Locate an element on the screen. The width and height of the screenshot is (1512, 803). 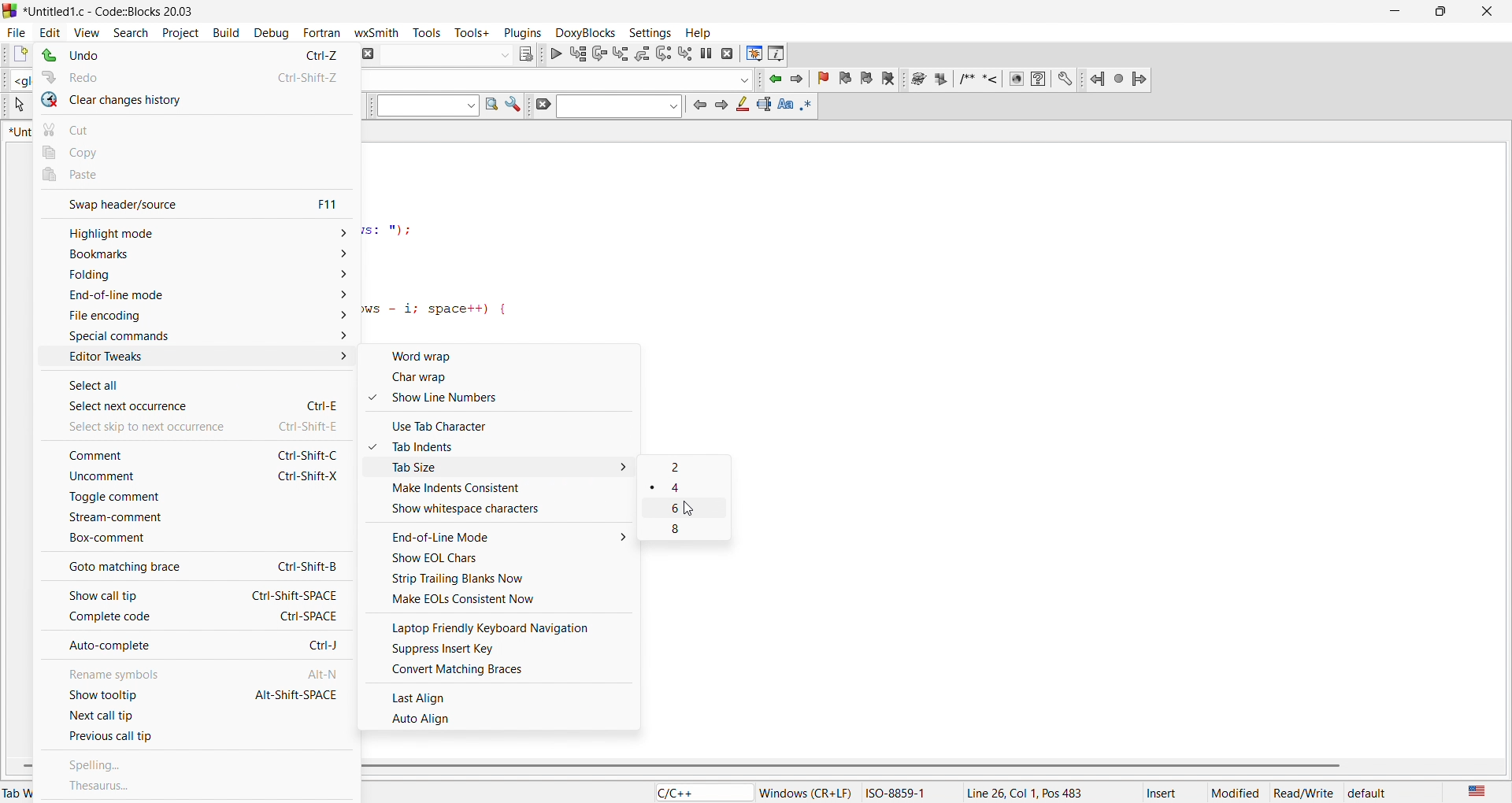
tools+ is located at coordinates (475, 35).